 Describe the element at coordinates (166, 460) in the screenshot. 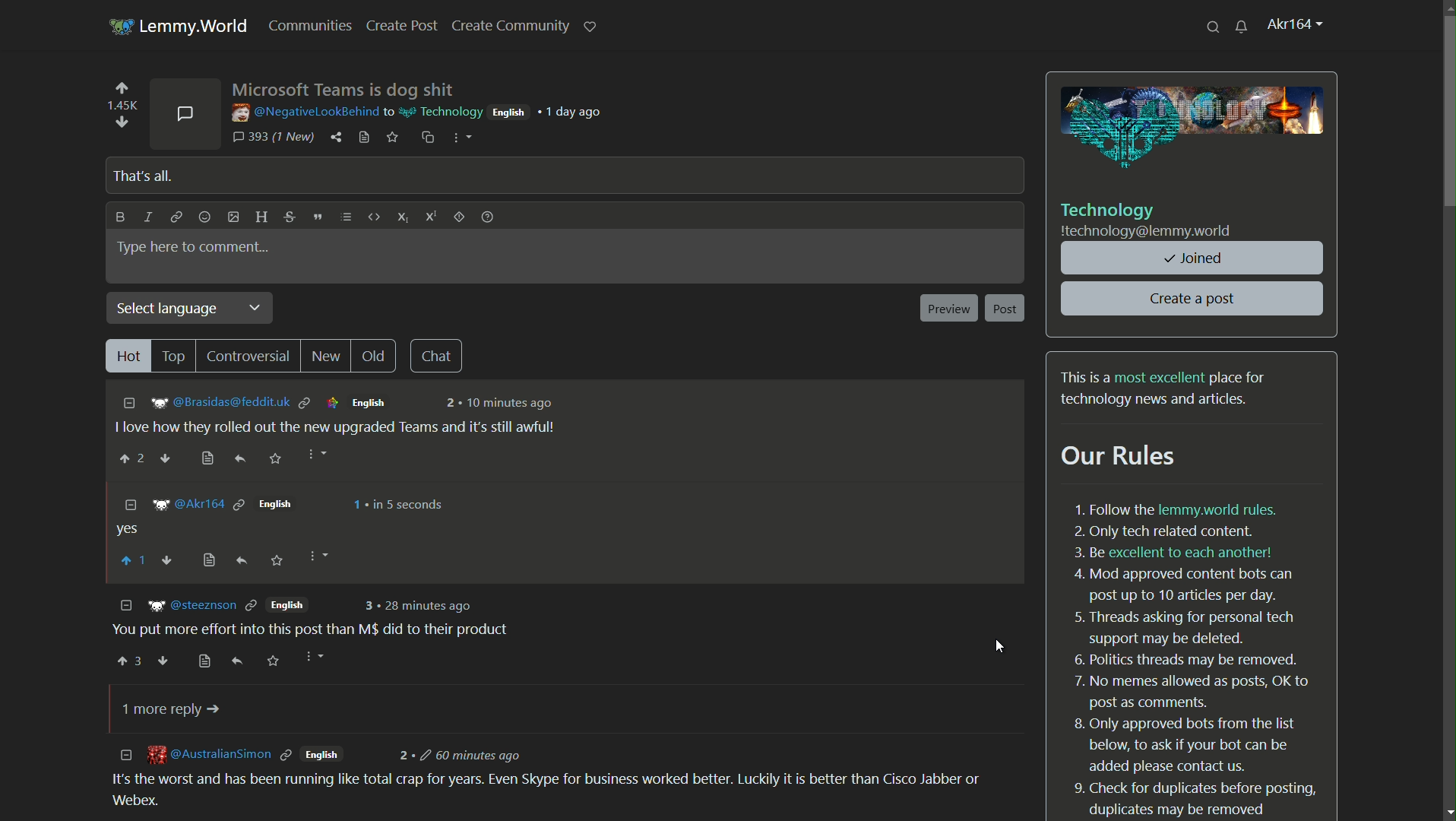

I see `downvote` at that location.